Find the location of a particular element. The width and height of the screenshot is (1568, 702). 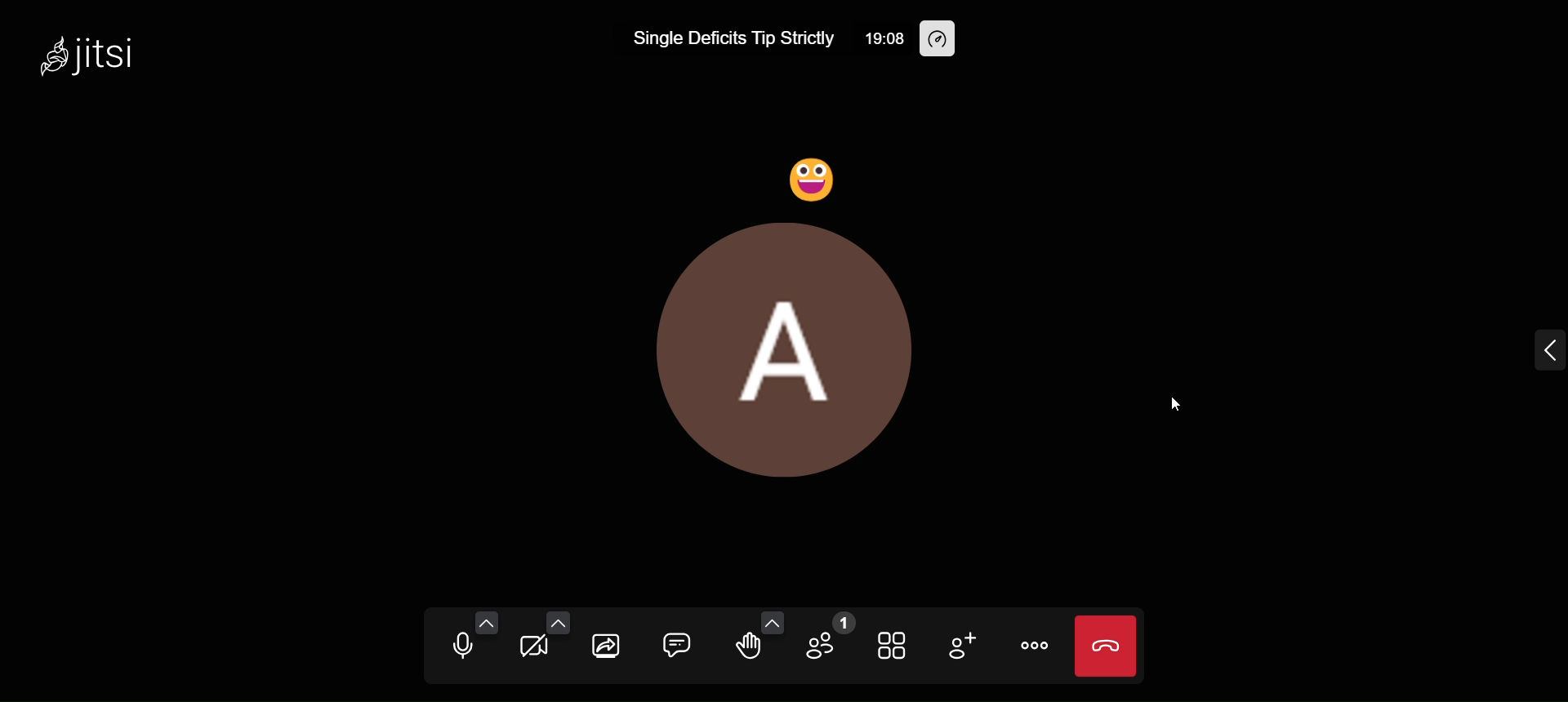

display picture is located at coordinates (781, 351).